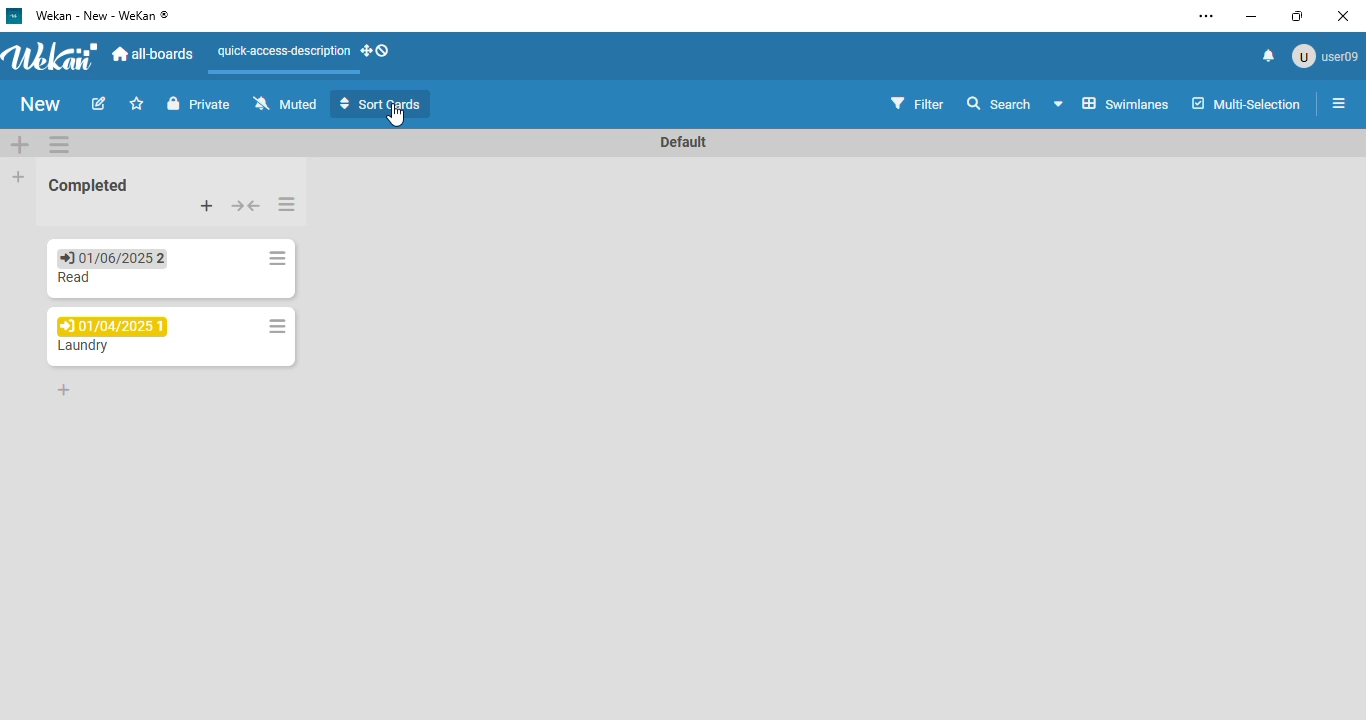  Describe the element at coordinates (137, 103) in the screenshot. I see `click to star this board` at that location.